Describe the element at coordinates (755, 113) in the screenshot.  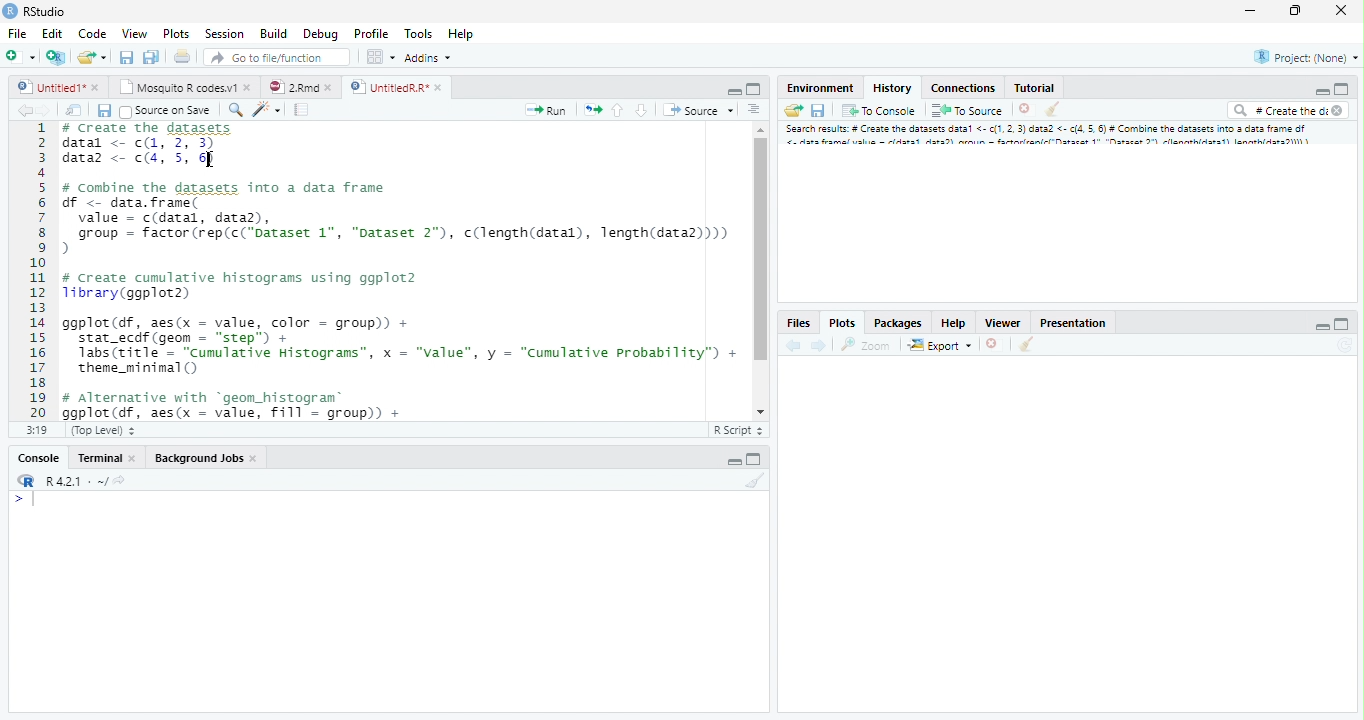
I see `Alignment` at that location.